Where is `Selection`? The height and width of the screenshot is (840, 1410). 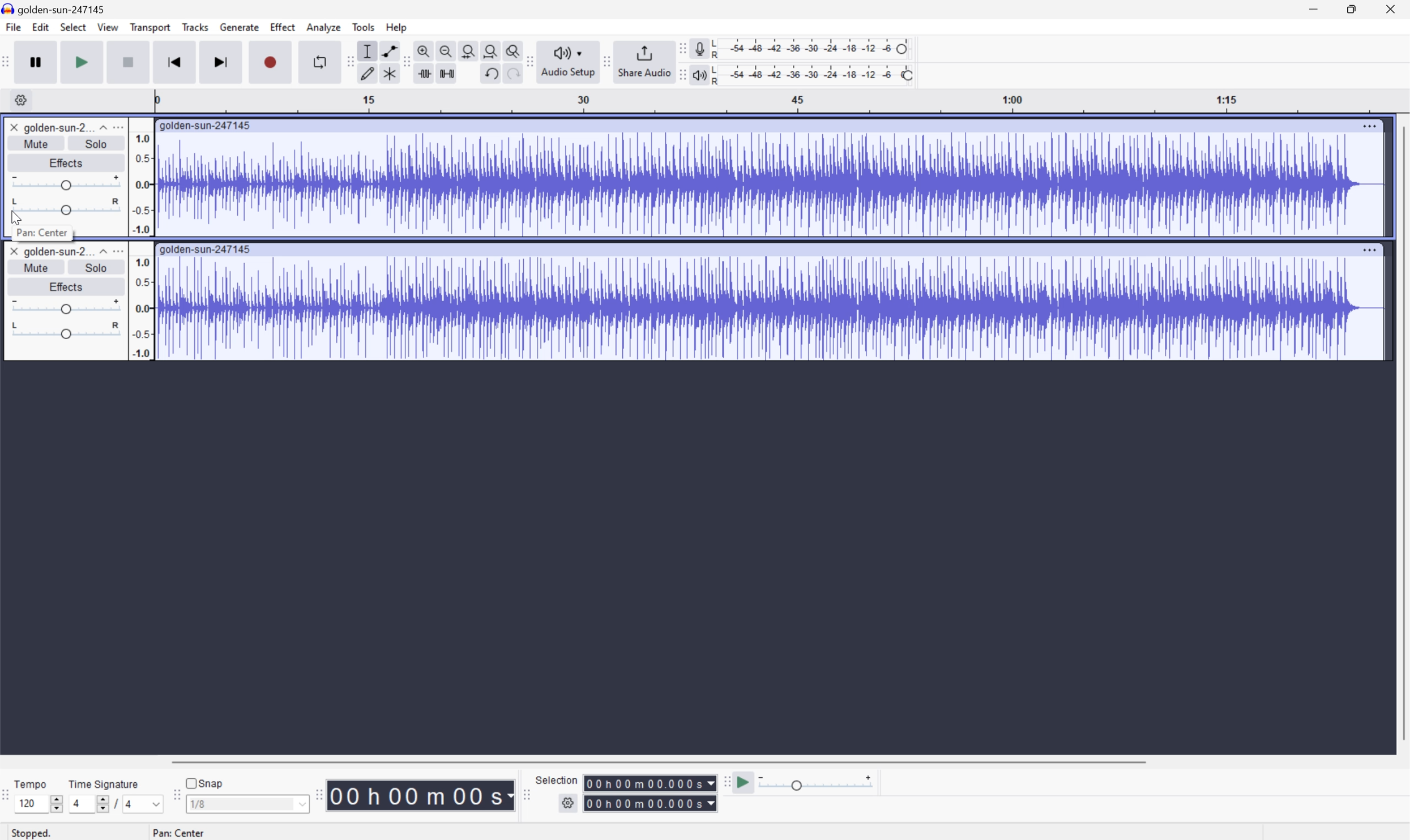
Selection is located at coordinates (651, 793).